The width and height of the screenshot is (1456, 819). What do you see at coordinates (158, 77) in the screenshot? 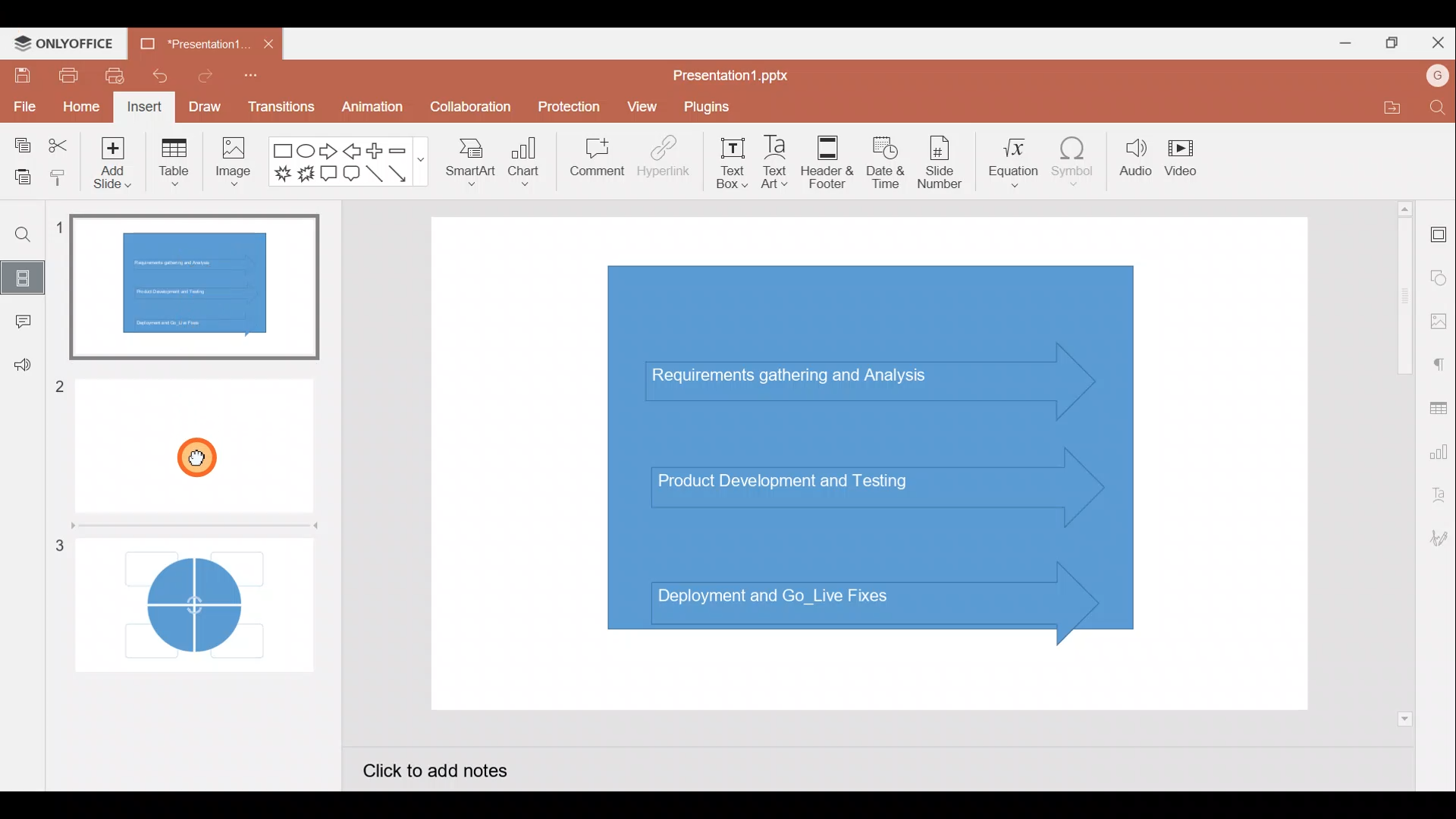
I see `Undo` at bounding box center [158, 77].